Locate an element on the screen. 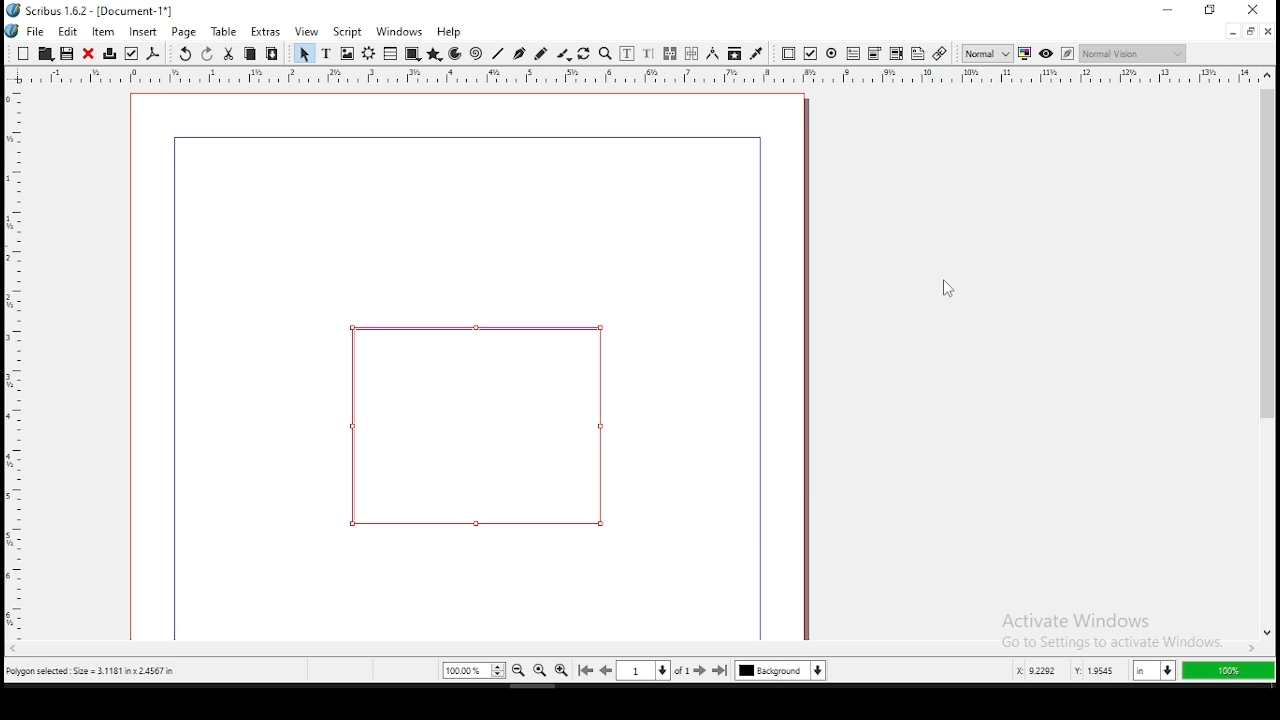  shape is located at coordinates (412, 54).